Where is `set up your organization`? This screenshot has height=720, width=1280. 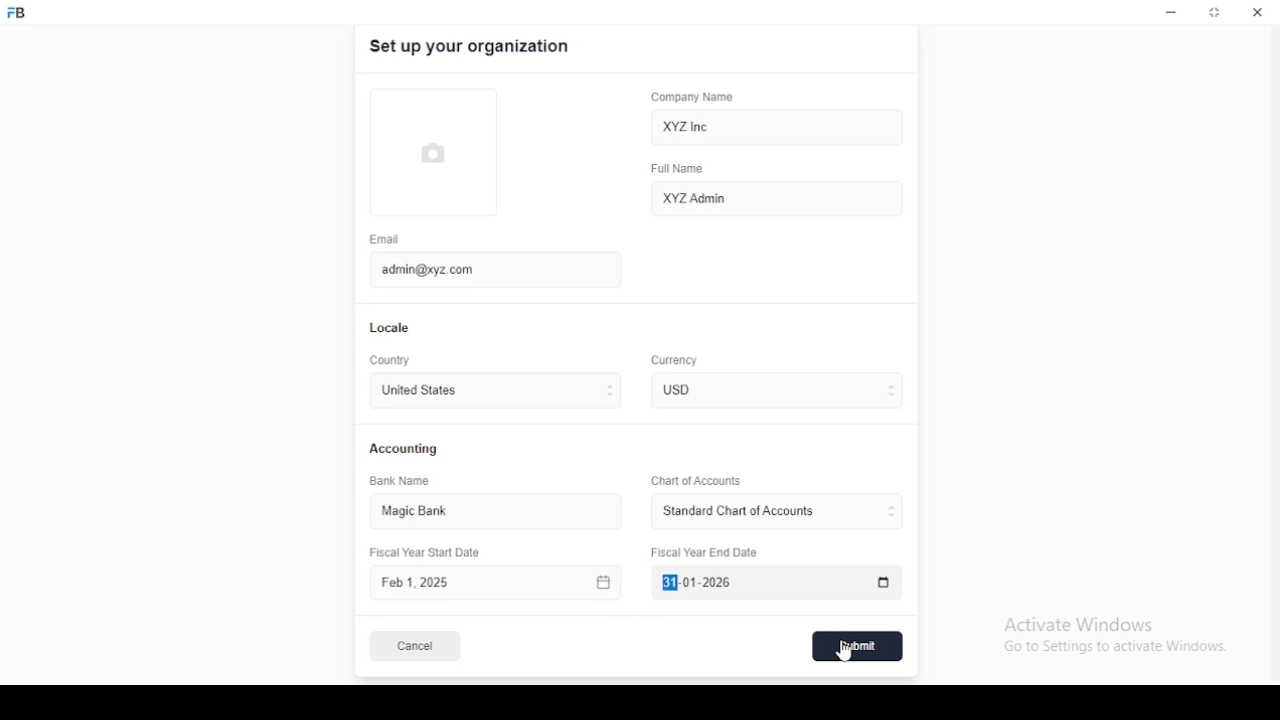
set up your organization is located at coordinates (471, 47).